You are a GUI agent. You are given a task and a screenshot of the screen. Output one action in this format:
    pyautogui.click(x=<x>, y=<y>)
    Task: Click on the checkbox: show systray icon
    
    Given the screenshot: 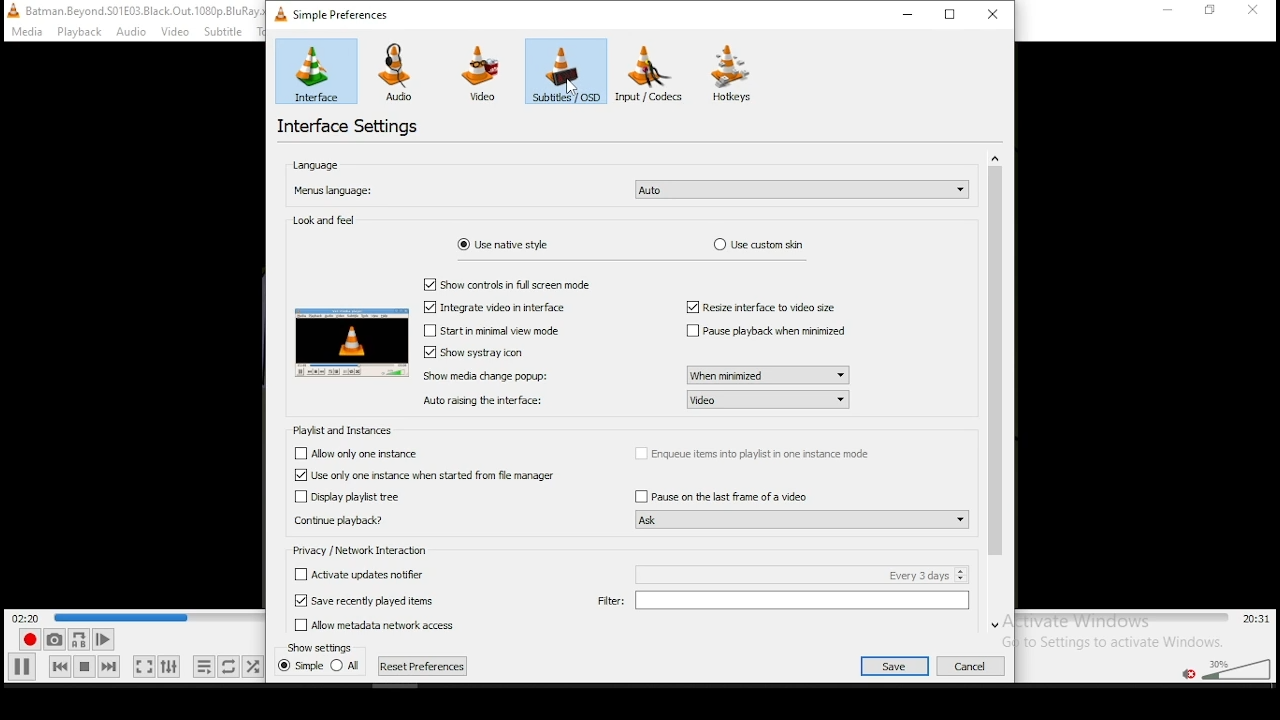 What is the action you would take?
    pyautogui.click(x=479, y=353)
    